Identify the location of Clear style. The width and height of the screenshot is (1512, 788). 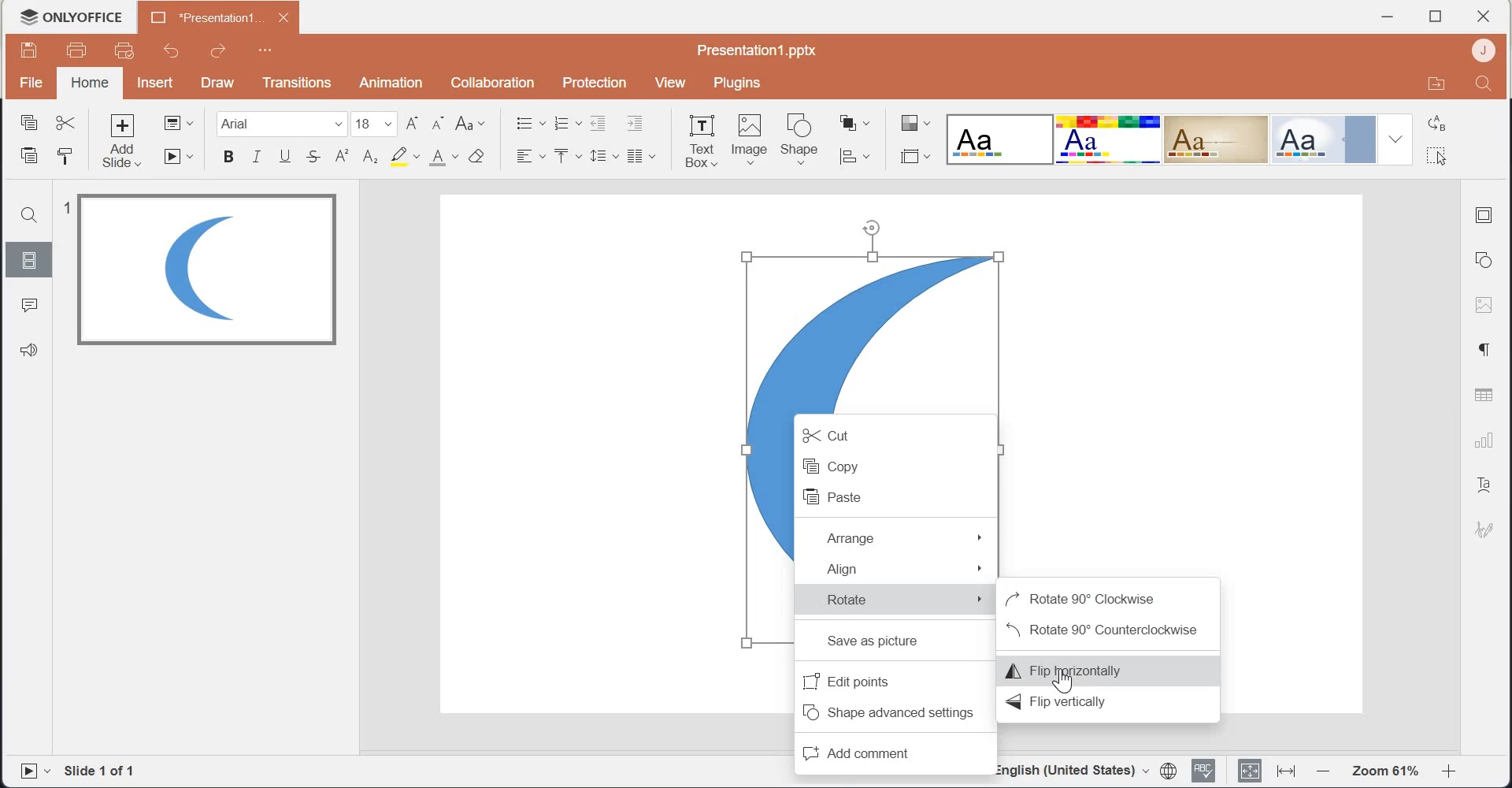
(481, 155).